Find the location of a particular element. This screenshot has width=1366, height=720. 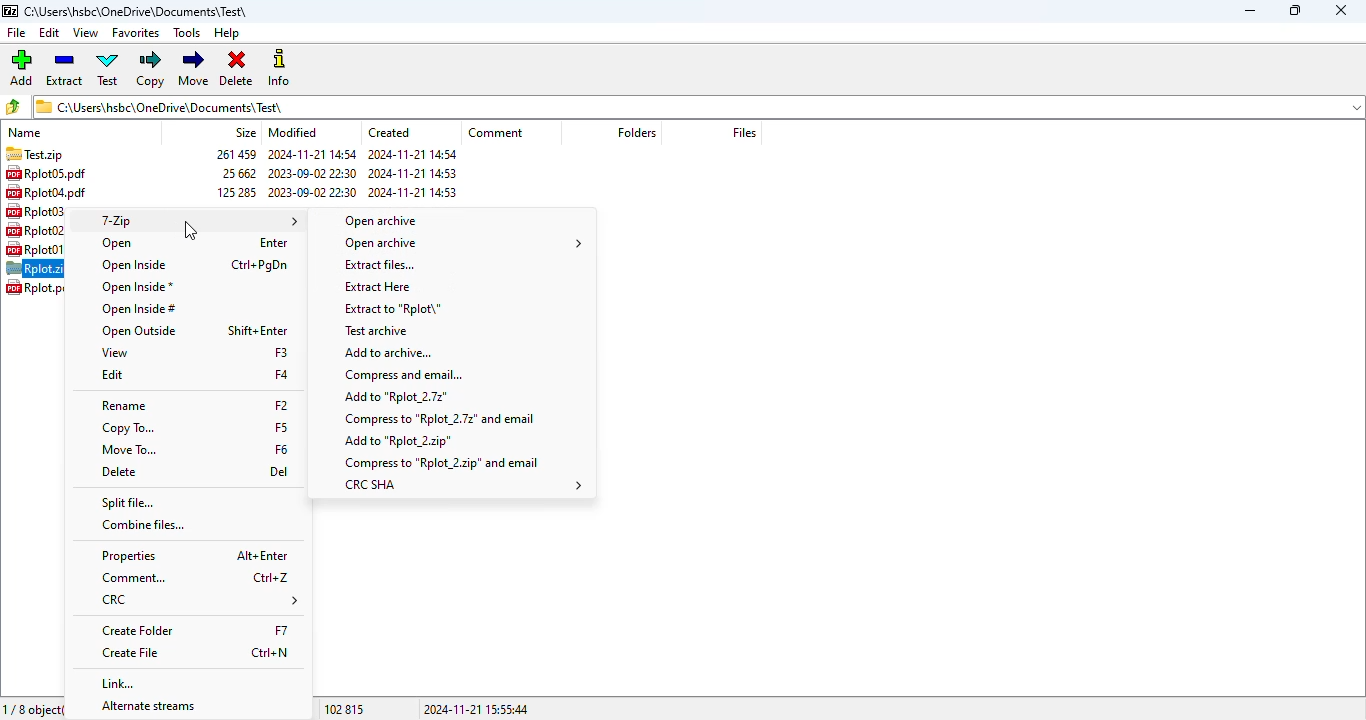

shortcut for open inside is located at coordinates (259, 265).